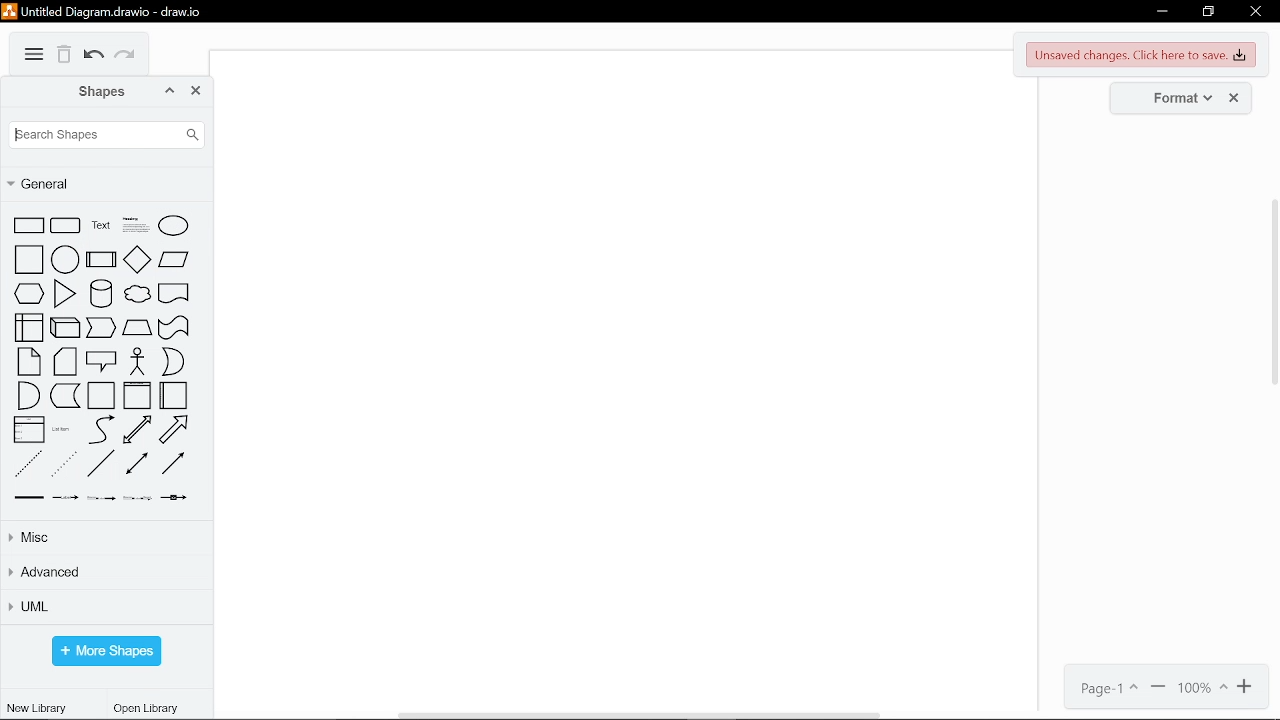  Describe the element at coordinates (175, 429) in the screenshot. I see `arrow` at that location.